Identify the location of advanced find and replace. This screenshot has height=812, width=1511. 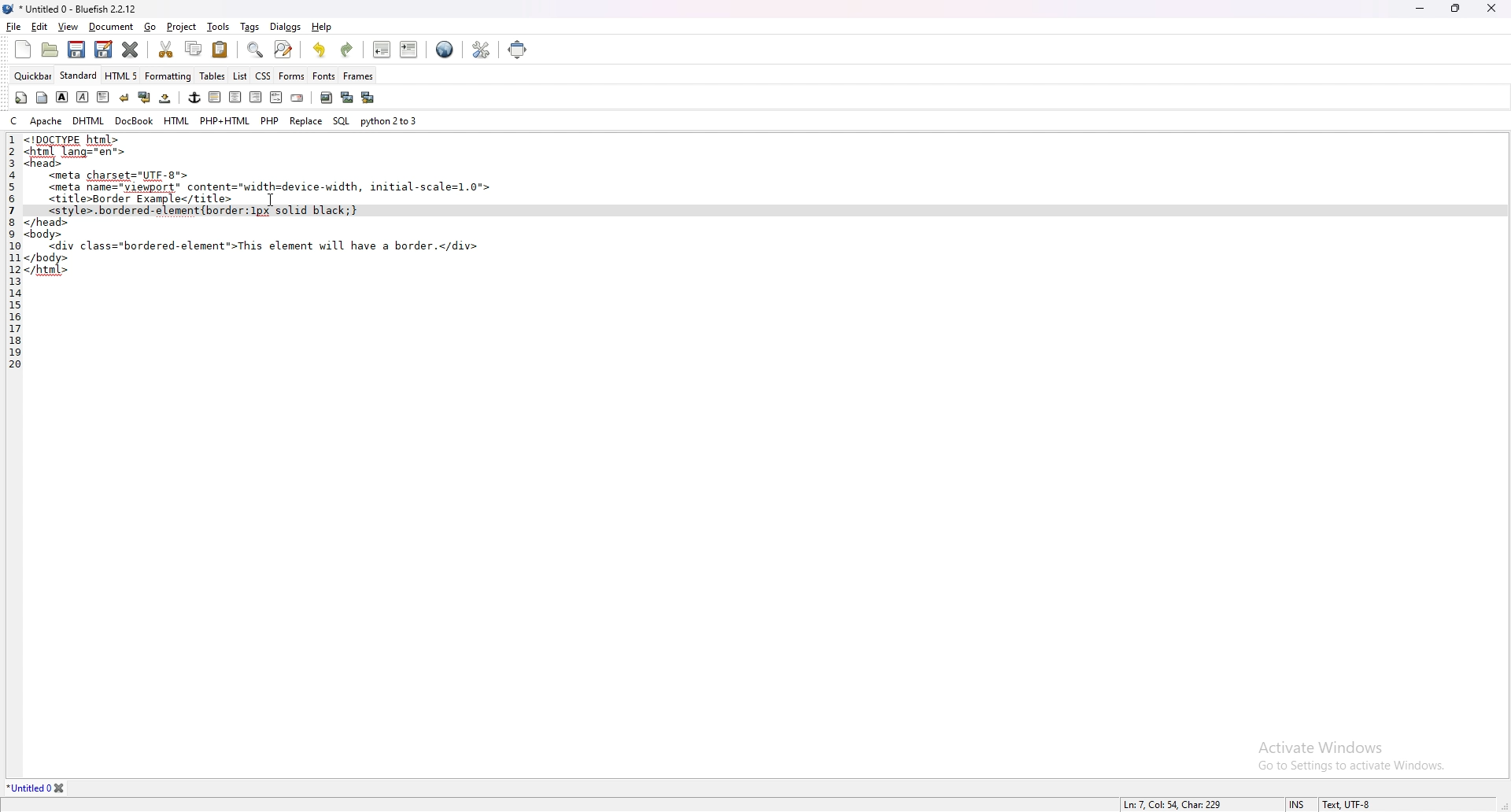
(285, 49).